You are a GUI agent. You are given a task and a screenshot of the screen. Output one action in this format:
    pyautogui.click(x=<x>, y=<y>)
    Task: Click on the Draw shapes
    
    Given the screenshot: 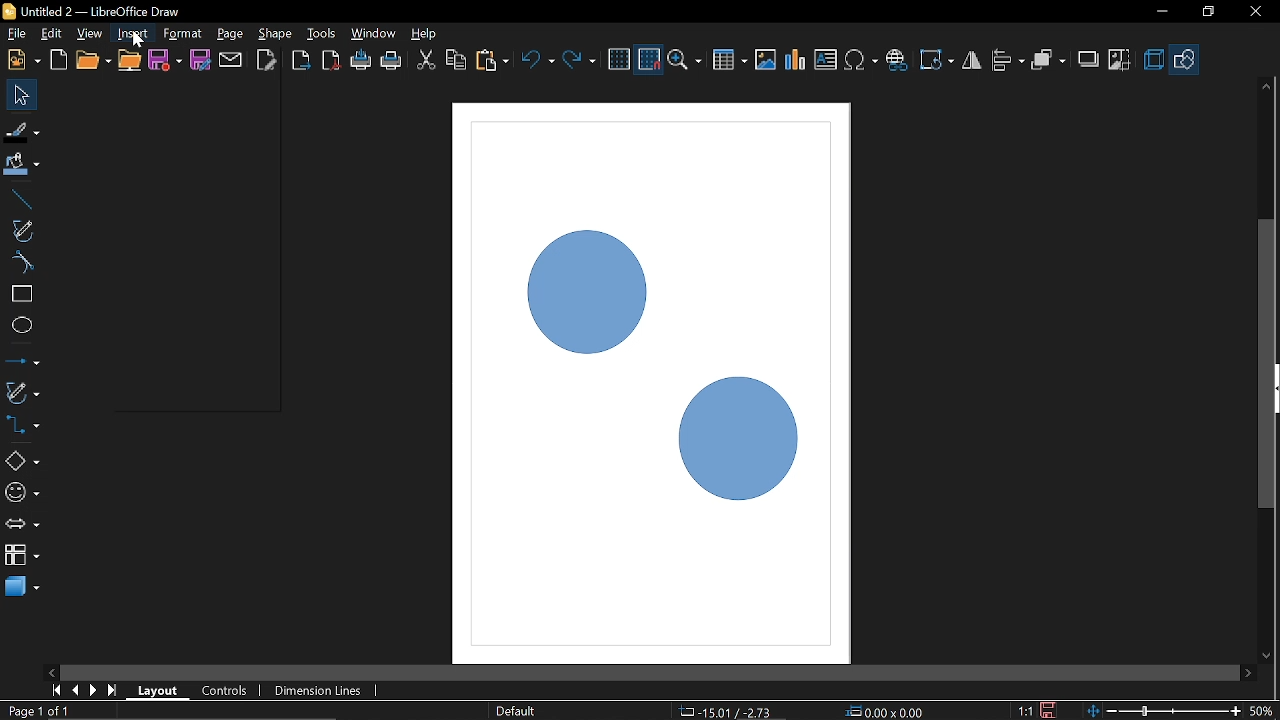 What is the action you would take?
    pyautogui.click(x=1185, y=60)
    